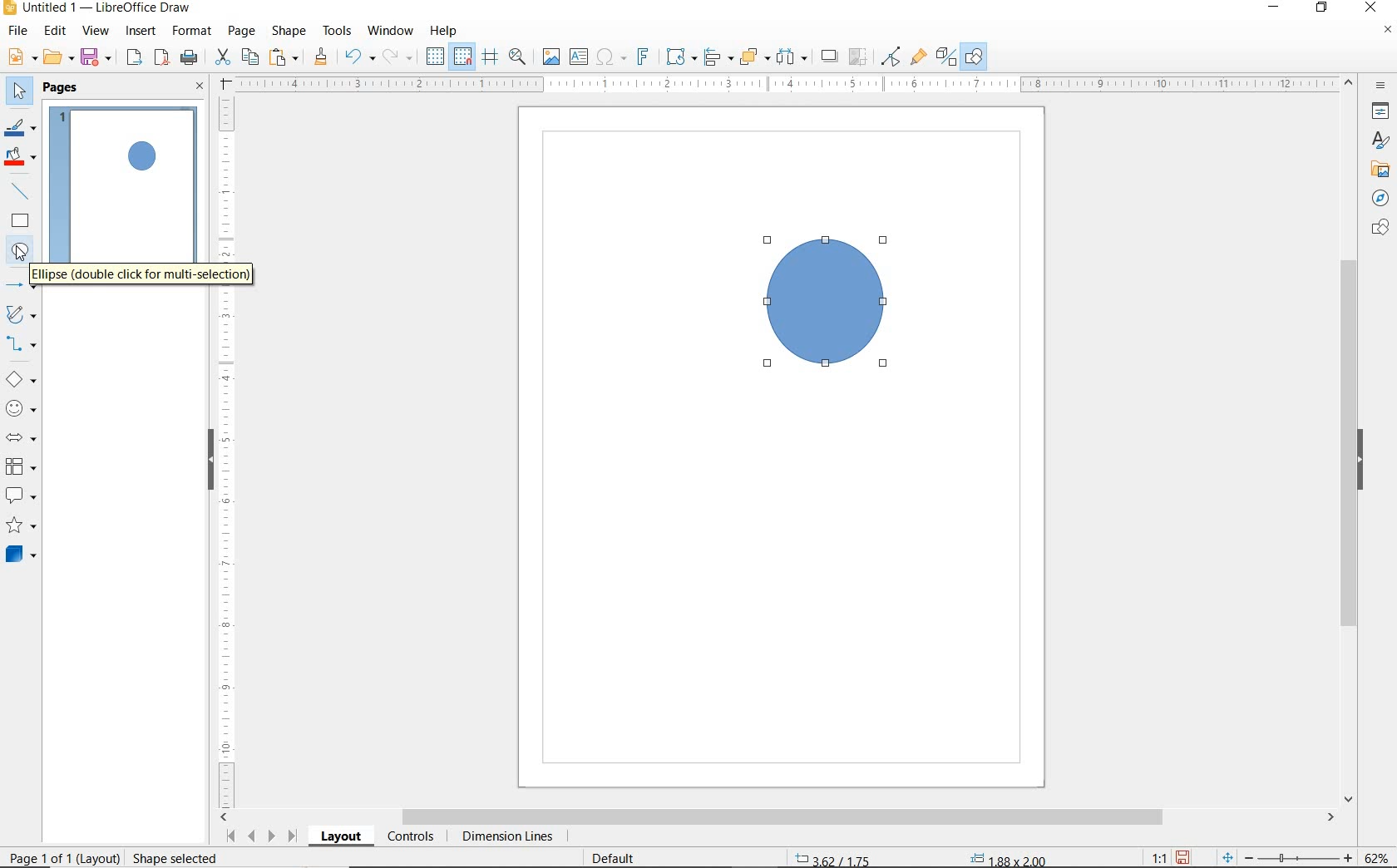 The image size is (1397, 868). What do you see at coordinates (285, 57) in the screenshot?
I see `PASTE` at bounding box center [285, 57].